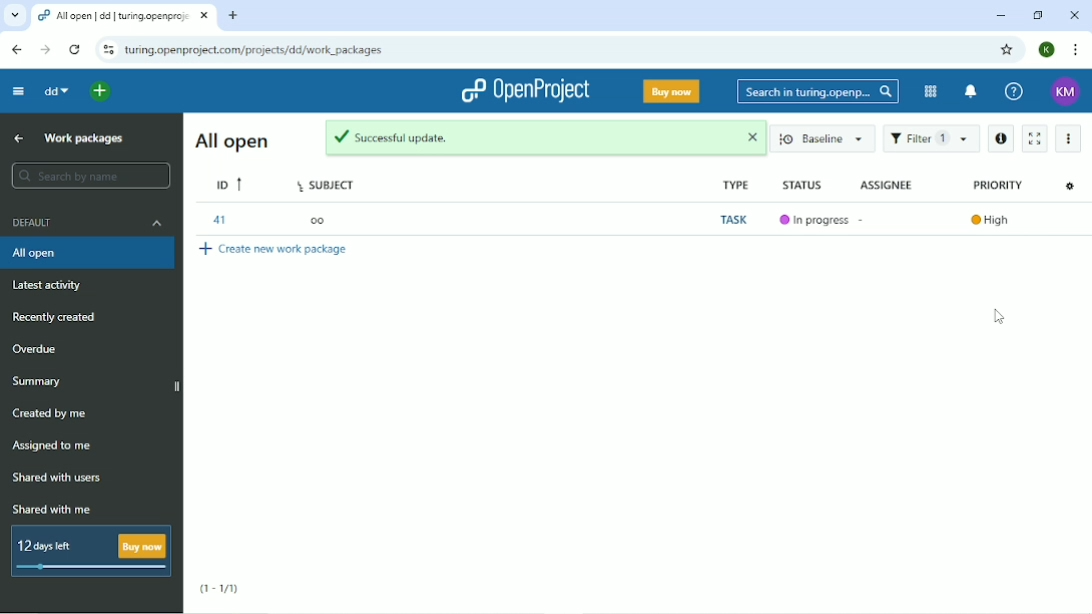  What do you see at coordinates (939, 141) in the screenshot?
I see `Filter 1` at bounding box center [939, 141].